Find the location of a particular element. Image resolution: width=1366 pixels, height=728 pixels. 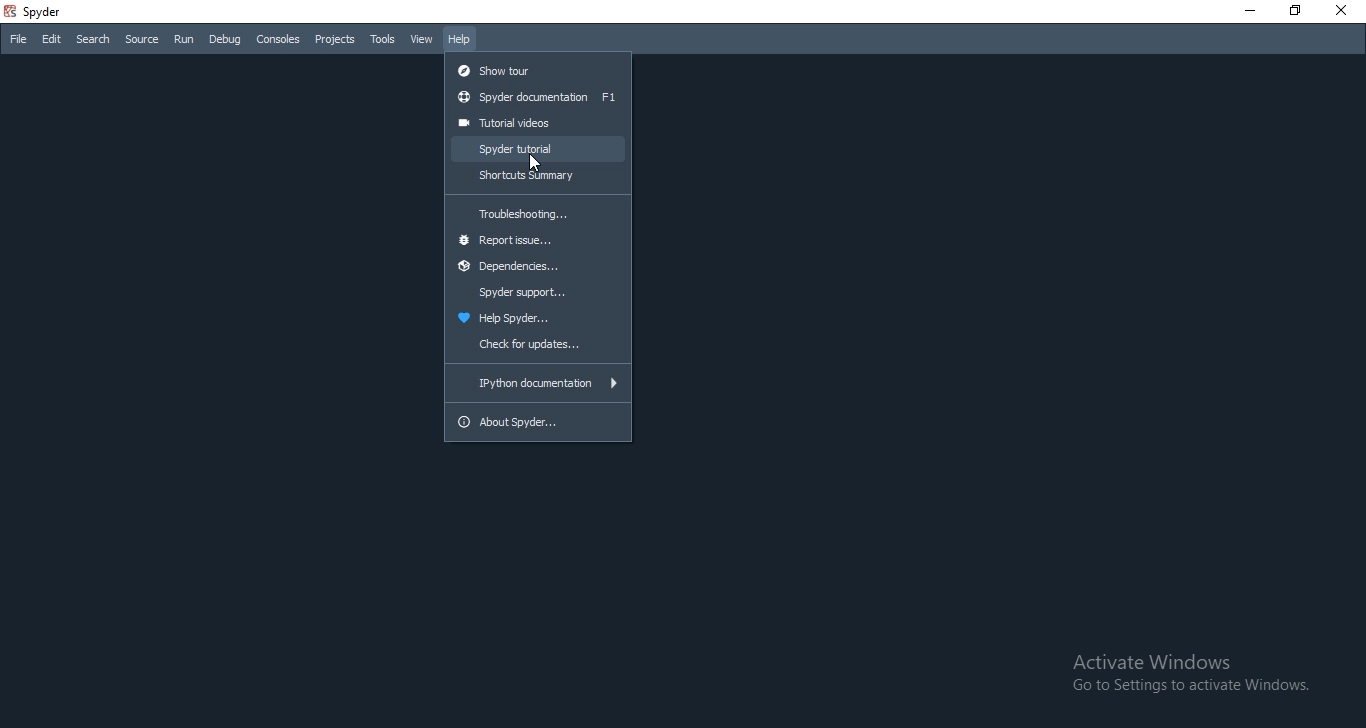

Source is located at coordinates (142, 40).